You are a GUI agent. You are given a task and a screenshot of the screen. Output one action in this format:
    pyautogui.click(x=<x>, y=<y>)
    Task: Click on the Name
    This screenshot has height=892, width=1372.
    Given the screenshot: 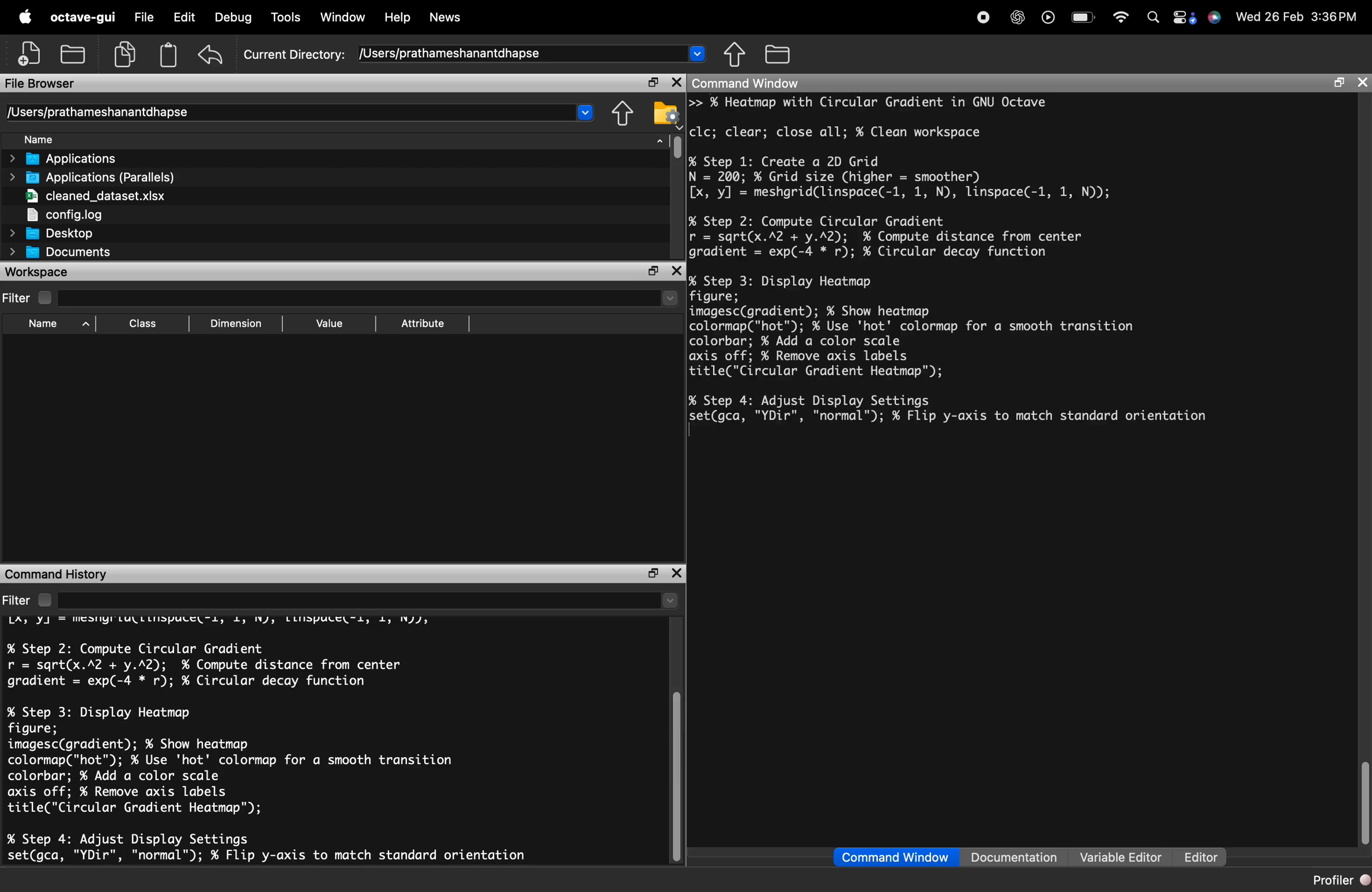 What is the action you would take?
    pyautogui.click(x=74, y=140)
    